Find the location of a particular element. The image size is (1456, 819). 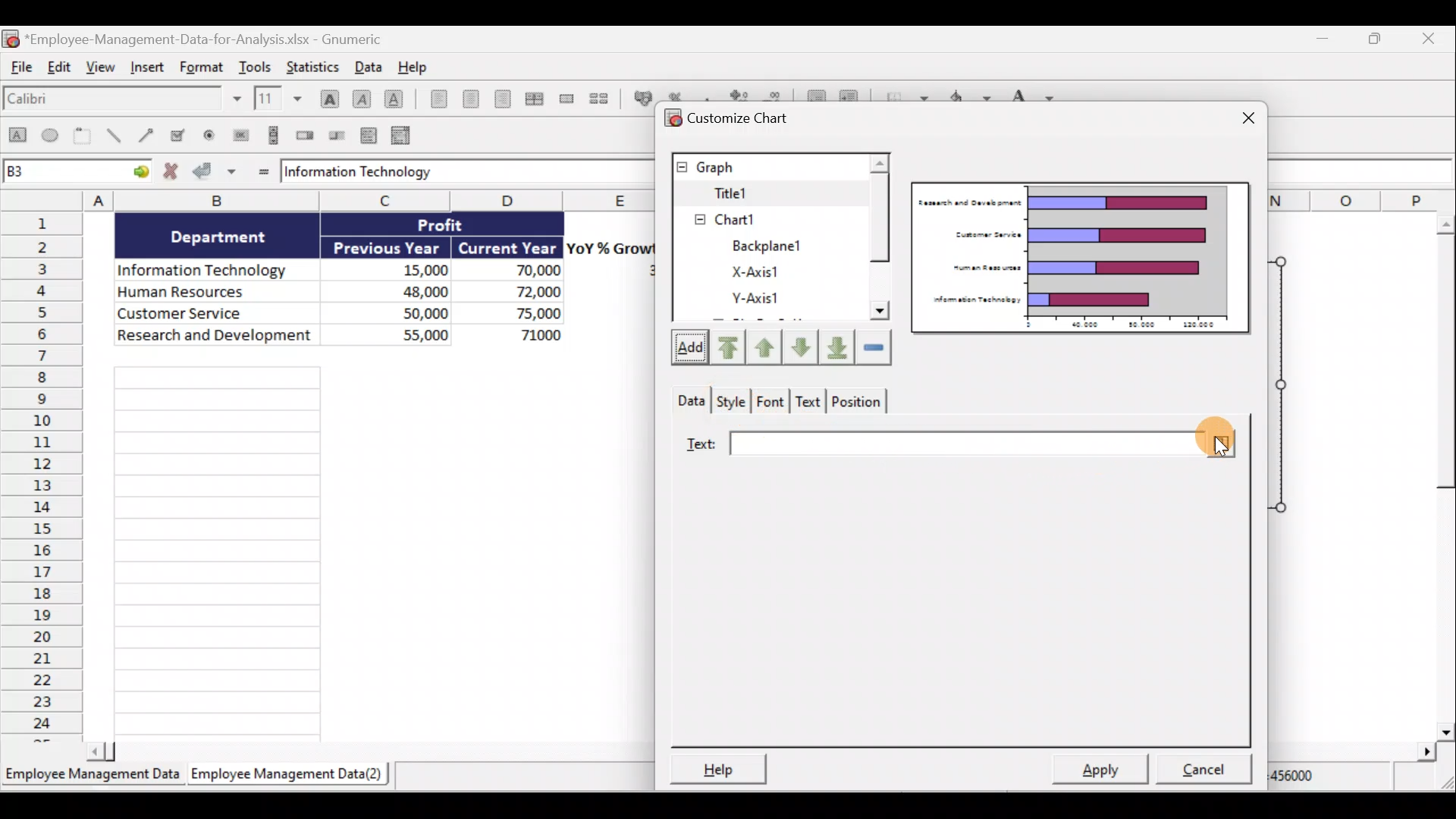

File is located at coordinates (21, 71).